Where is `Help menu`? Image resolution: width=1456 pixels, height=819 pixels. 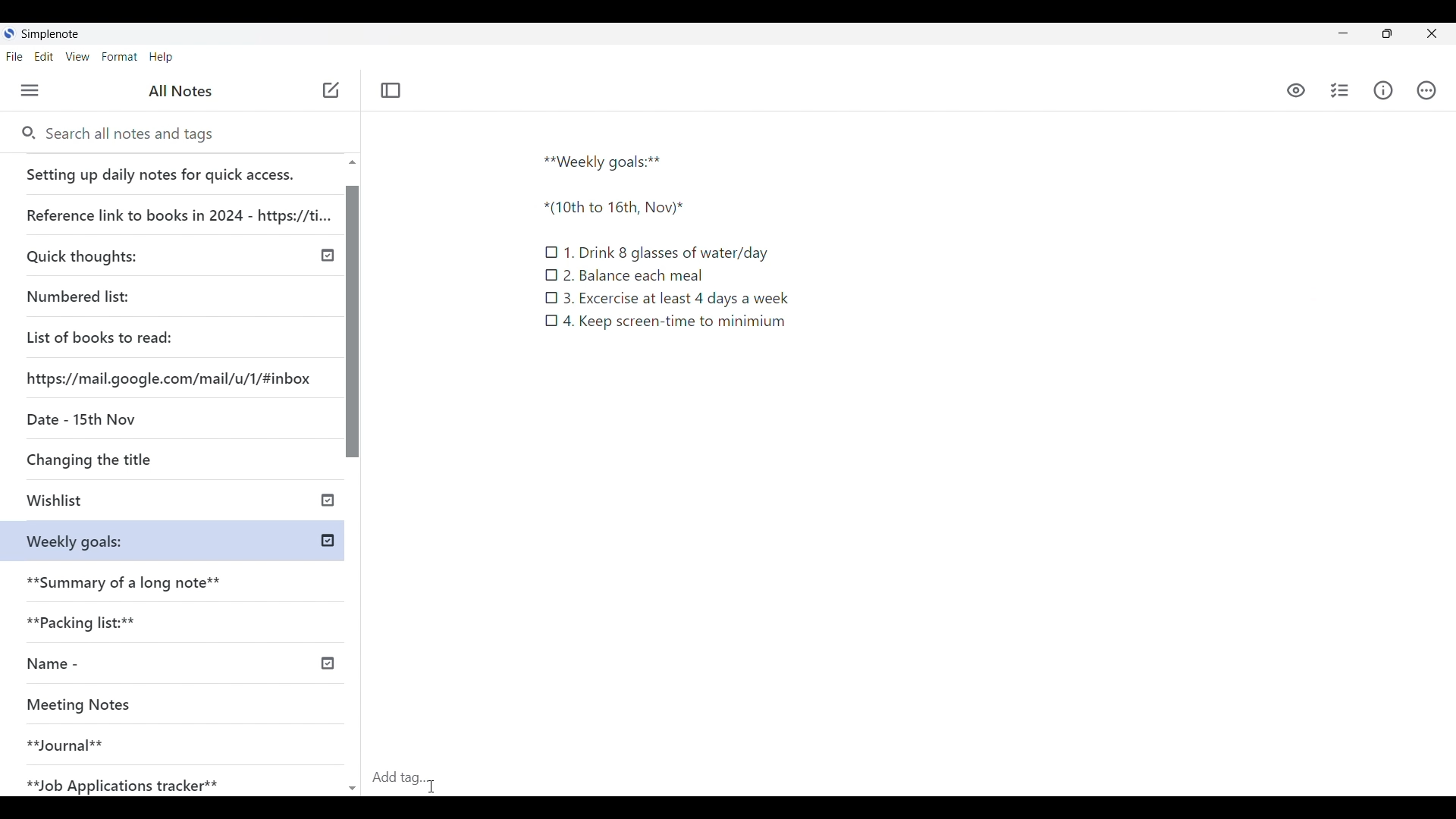
Help menu is located at coordinates (161, 57).